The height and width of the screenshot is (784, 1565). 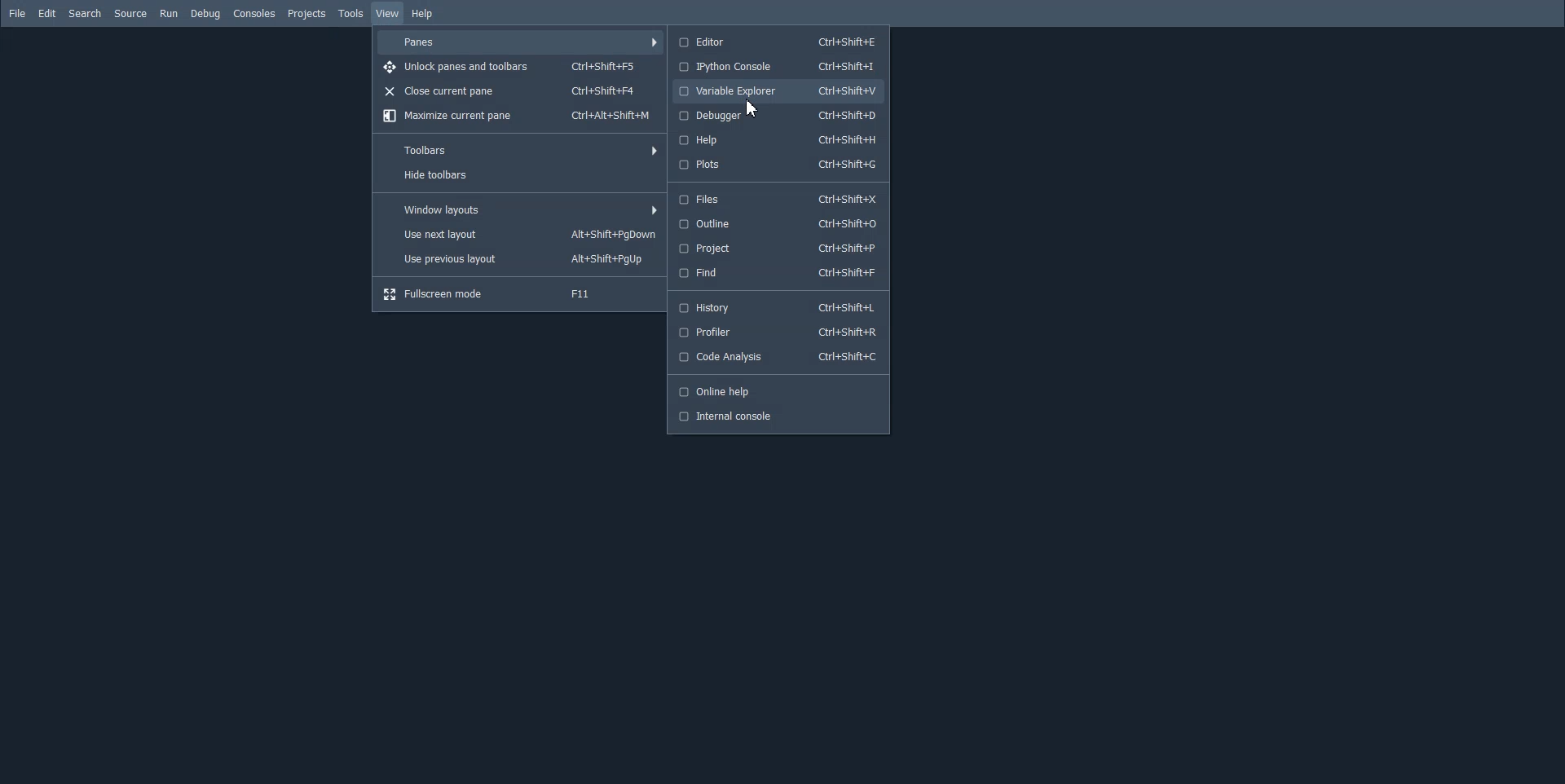 I want to click on Outline, so click(x=776, y=223).